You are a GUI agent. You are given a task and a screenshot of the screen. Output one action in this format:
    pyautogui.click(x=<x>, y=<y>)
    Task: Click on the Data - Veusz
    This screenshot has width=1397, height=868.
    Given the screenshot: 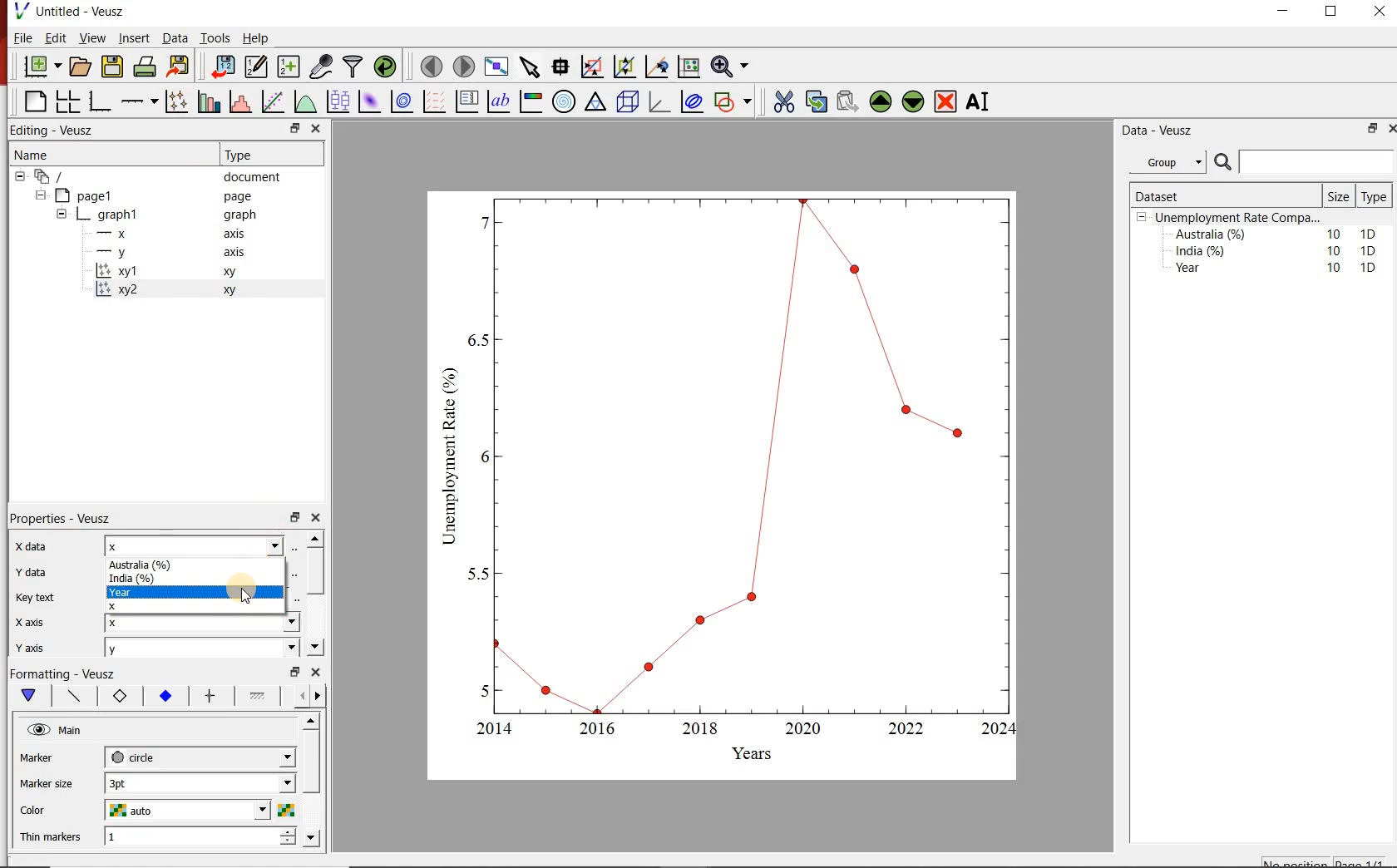 What is the action you would take?
    pyautogui.click(x=1173, y=131)
    